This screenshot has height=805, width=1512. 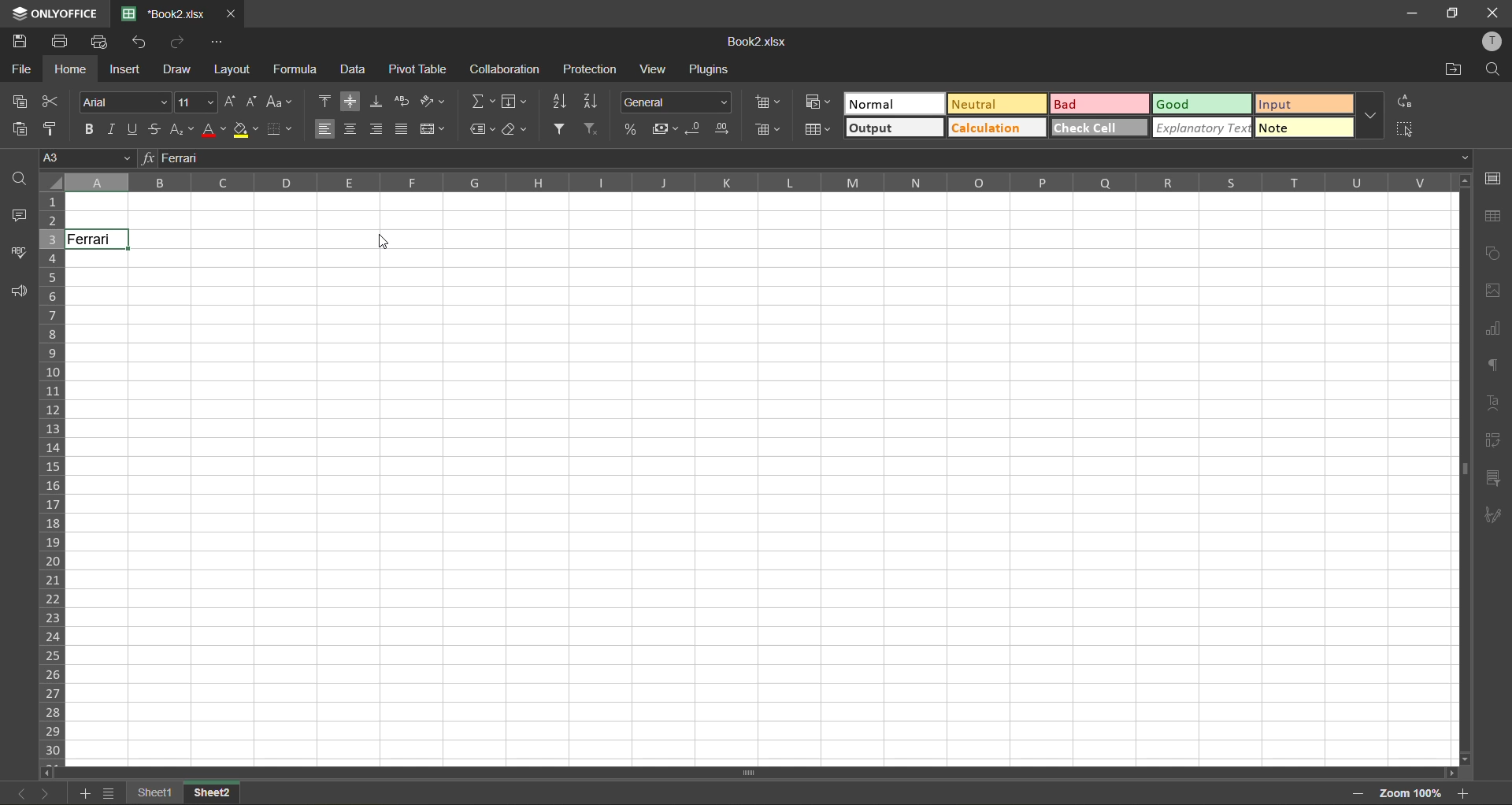 What do you see at coordinates (482, 129) in the screenshot?
I see `named ranges` at bounding box center [482, 129].